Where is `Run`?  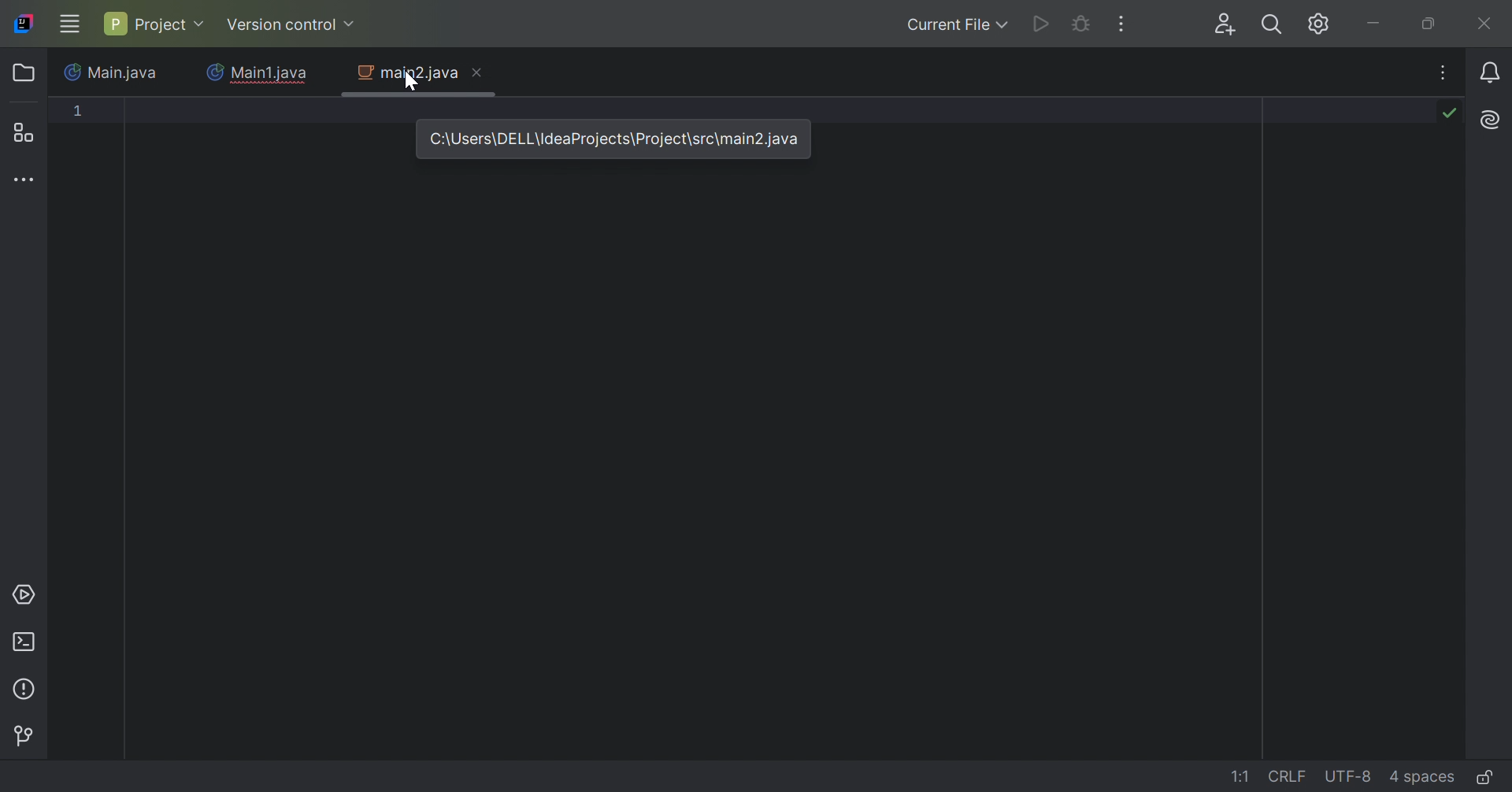
Run is located at coordinates (1042, 23).